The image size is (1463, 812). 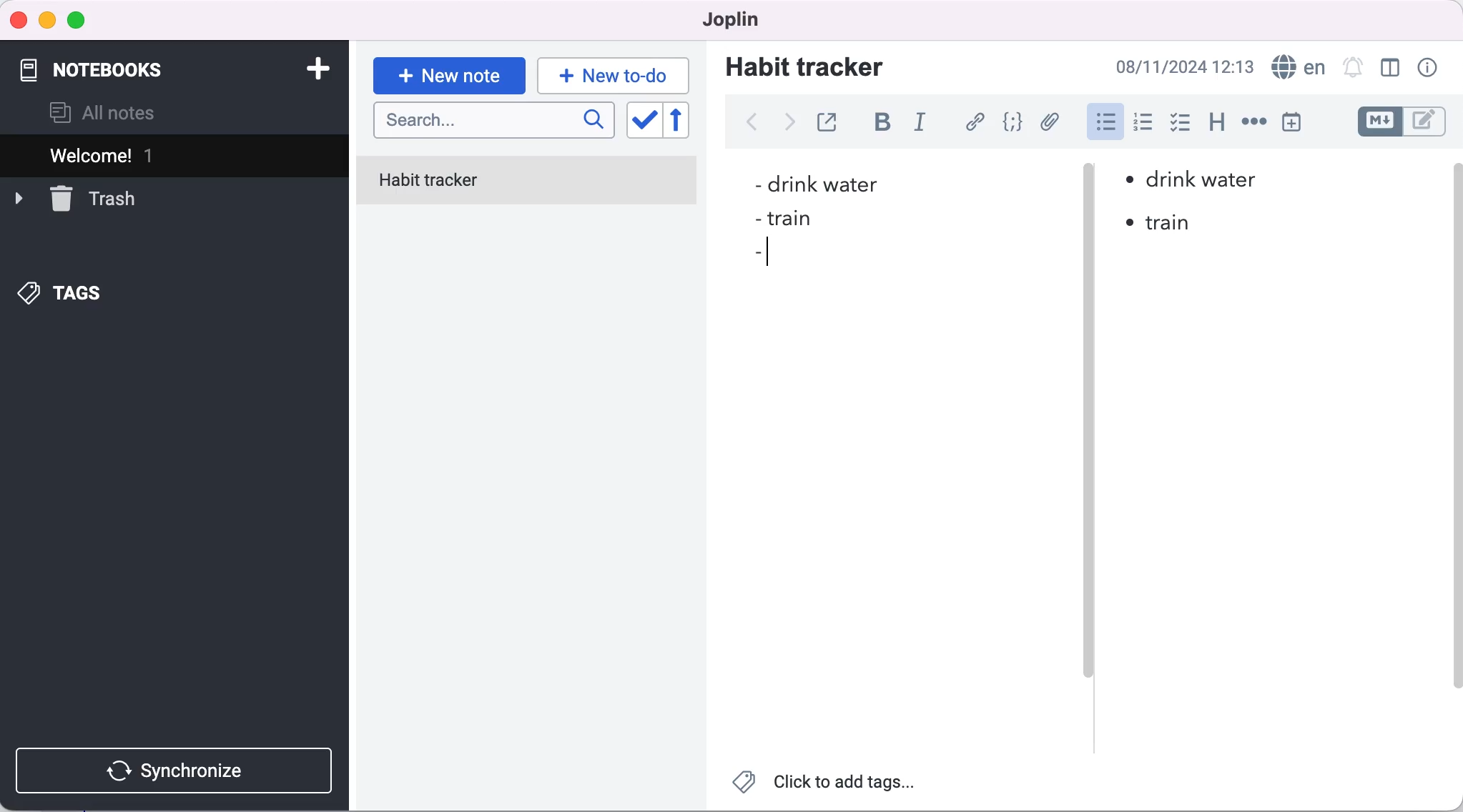 What do you see at coordinates (686, 121) in the screenshot?
I see `reverse sort order` at bounding box center [686, 121].